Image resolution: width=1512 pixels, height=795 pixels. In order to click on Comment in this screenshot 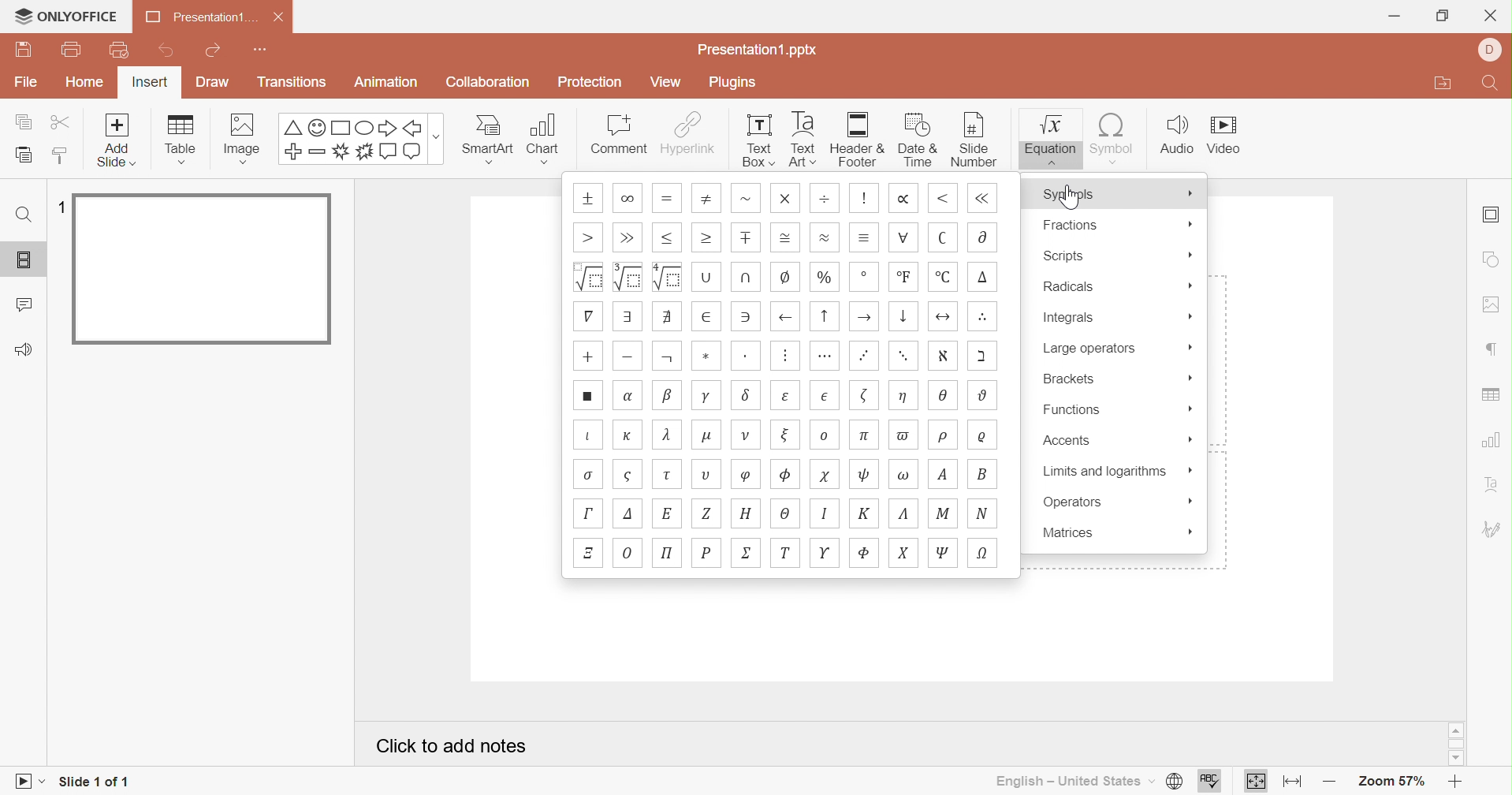, I will do `click(619, 136)`.